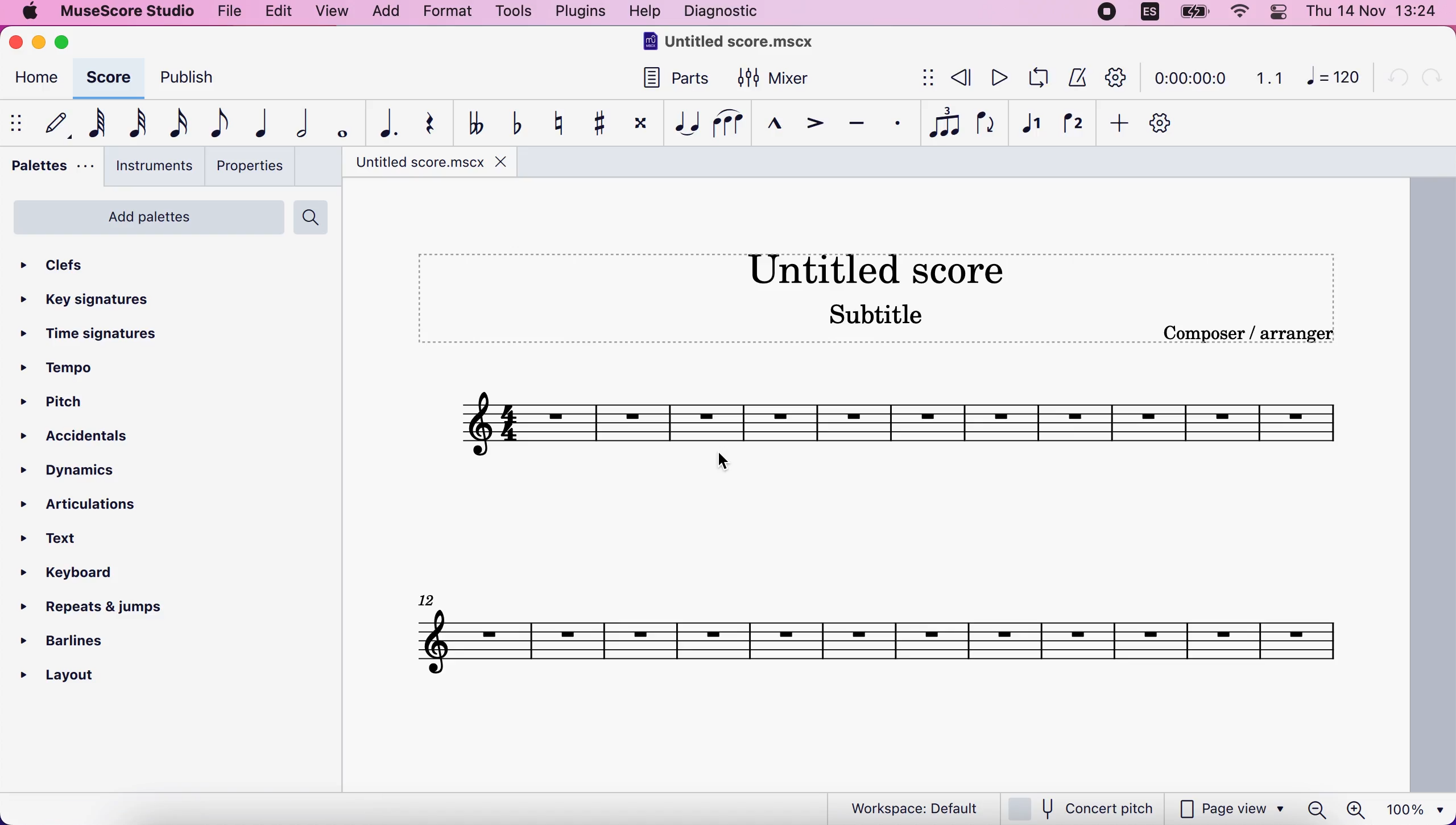  I want to click on rest, so click(427, 122).